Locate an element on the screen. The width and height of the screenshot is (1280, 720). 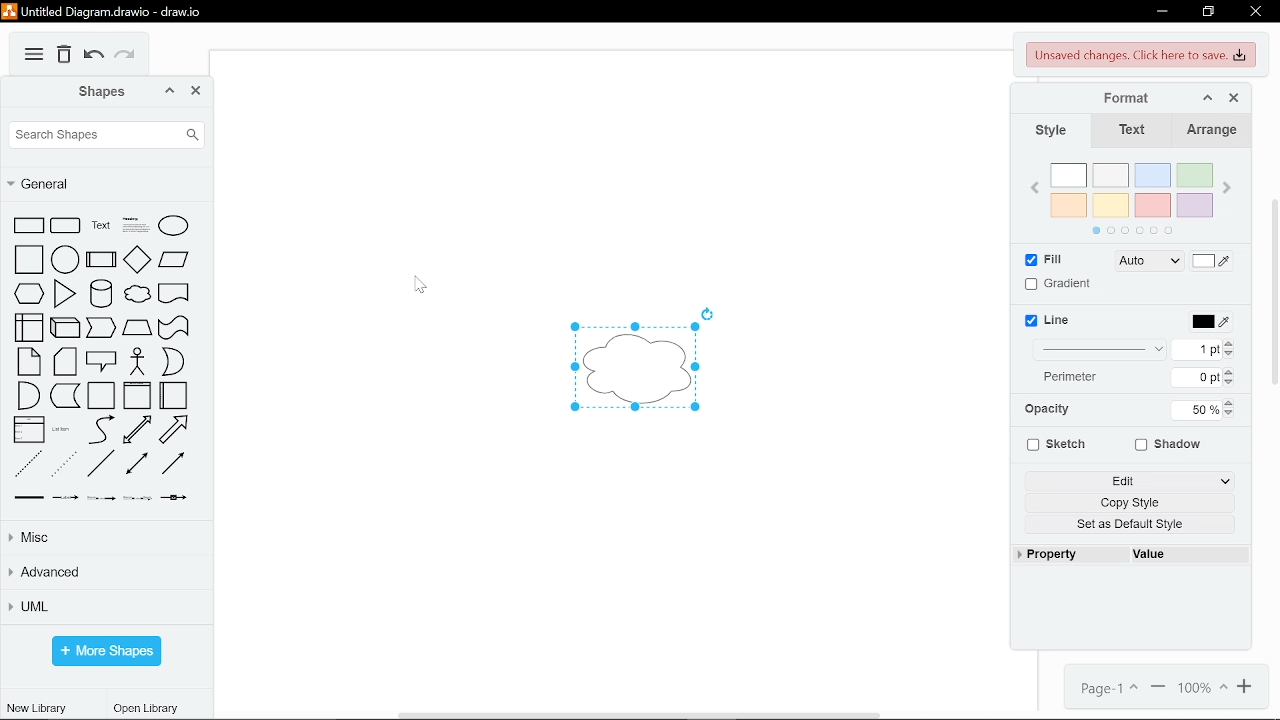
note is located at coordinates (28, 362).